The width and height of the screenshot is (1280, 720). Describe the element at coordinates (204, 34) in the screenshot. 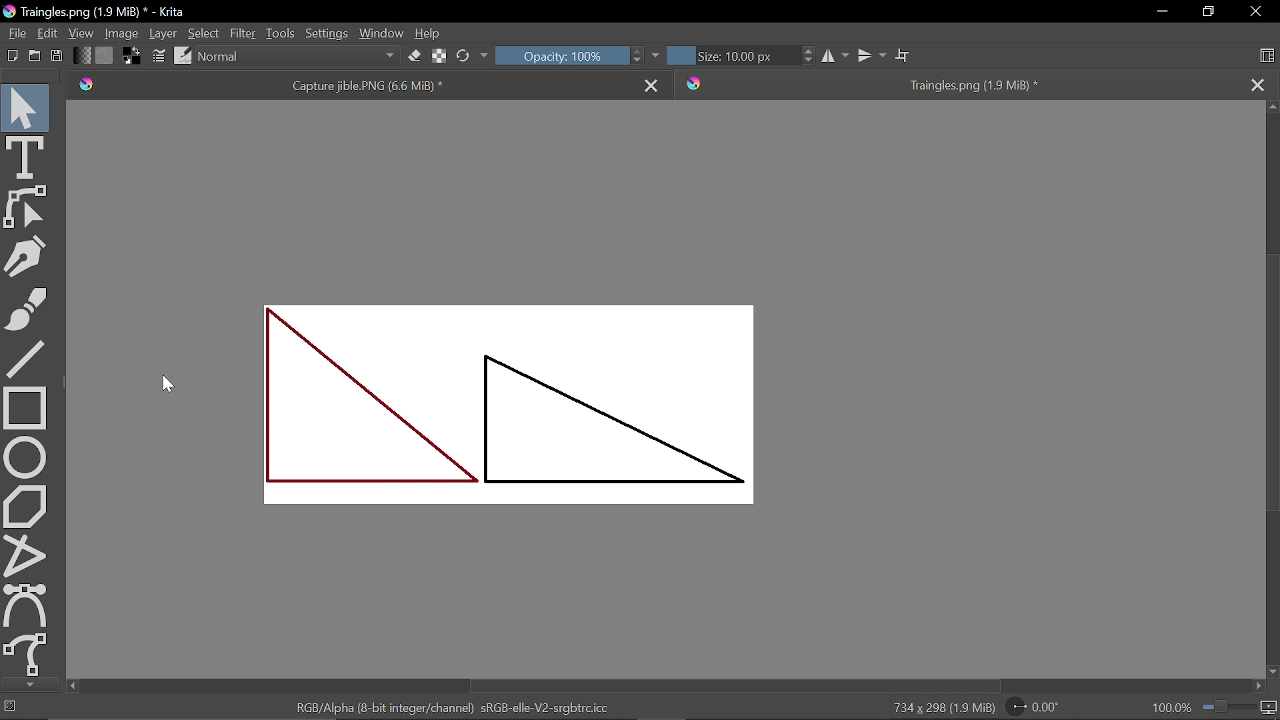

I see `Select` at that location.